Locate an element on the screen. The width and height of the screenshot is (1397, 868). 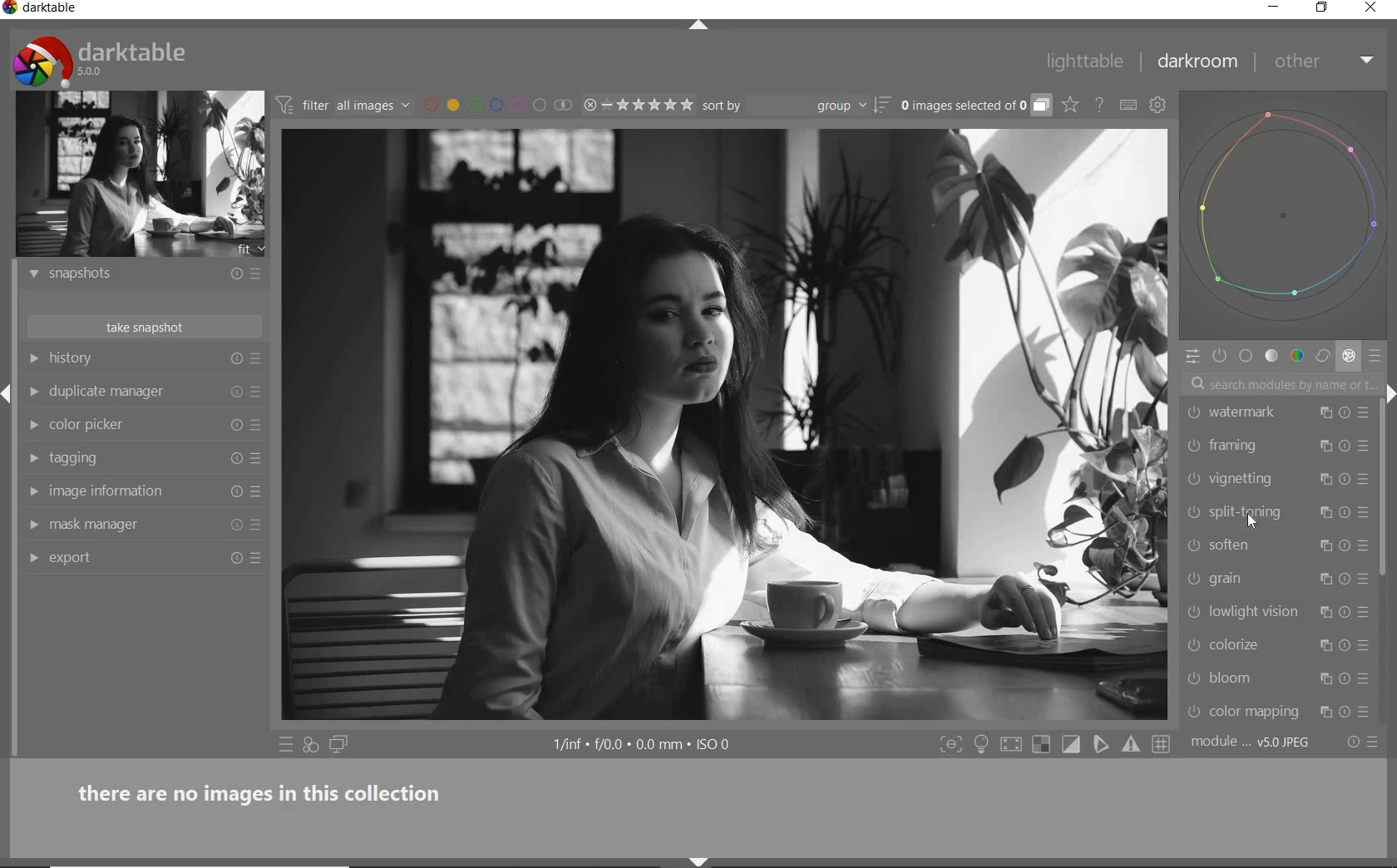
'framing' is switched off is located at coordinates (1193, 446).